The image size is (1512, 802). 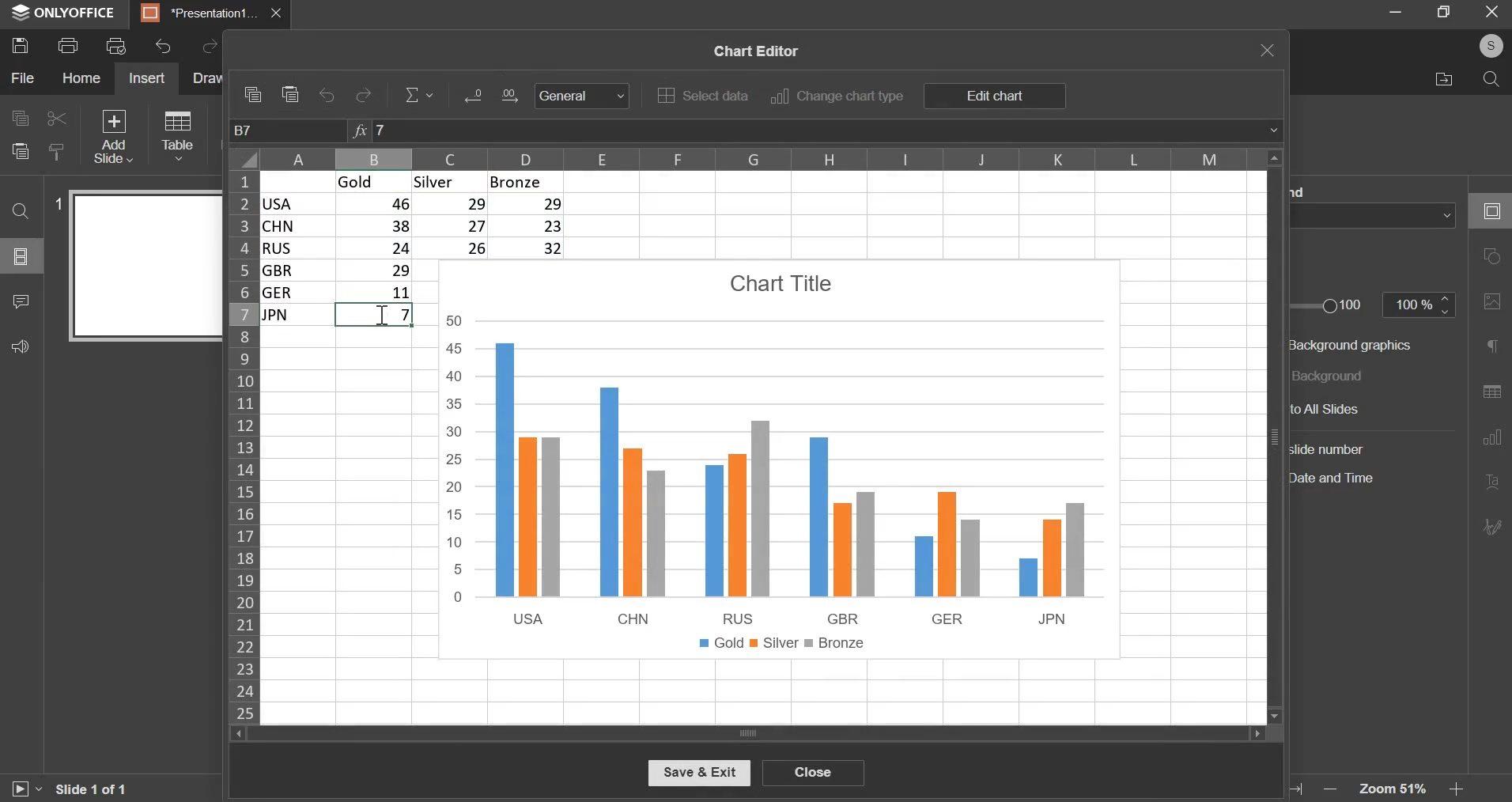 What do you see at coordinates (1491, 11) in the screenshot?
I see `exit` at bounding box center [1491, 11].